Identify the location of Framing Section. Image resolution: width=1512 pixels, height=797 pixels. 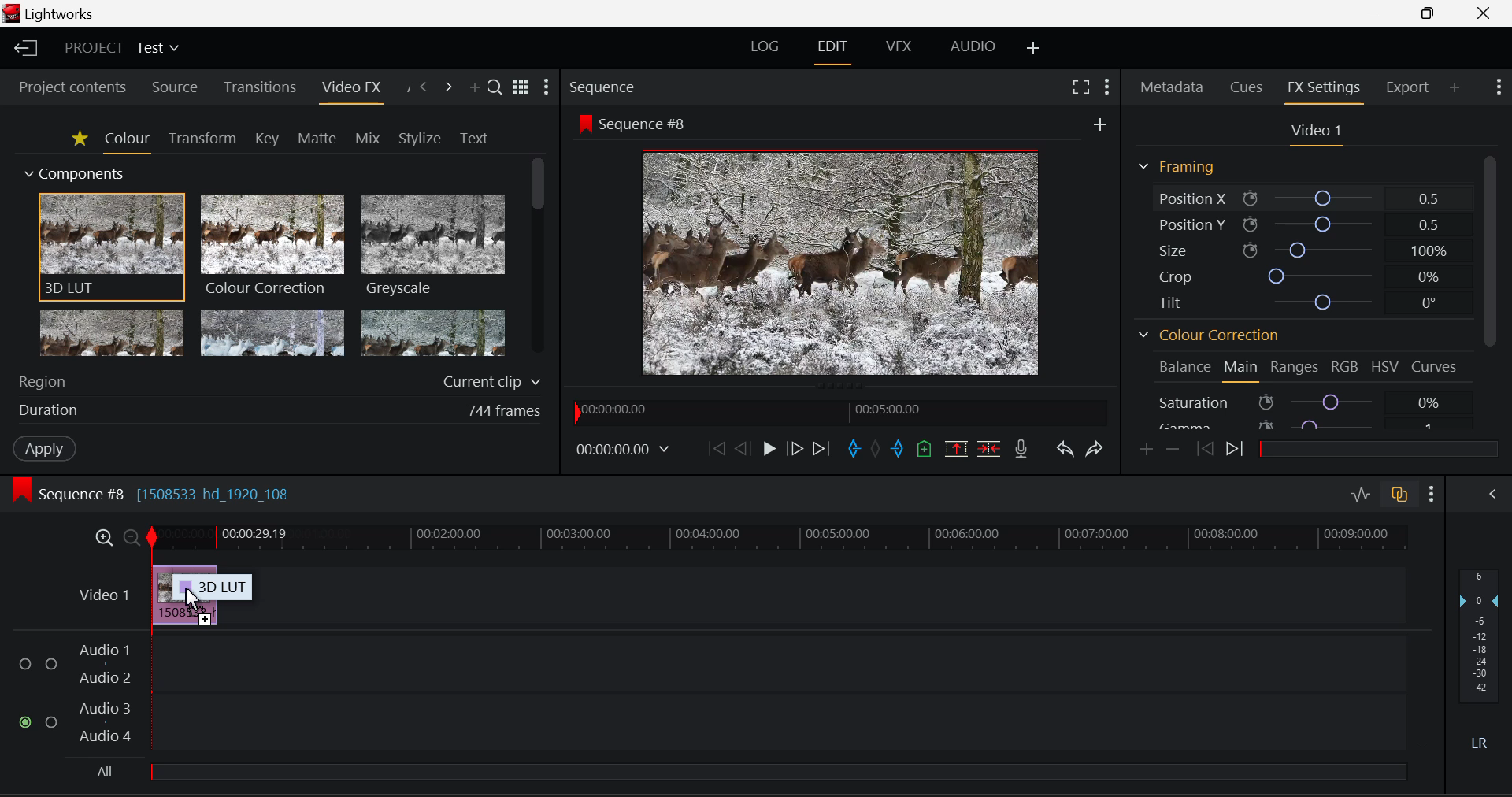
(1175, 165).